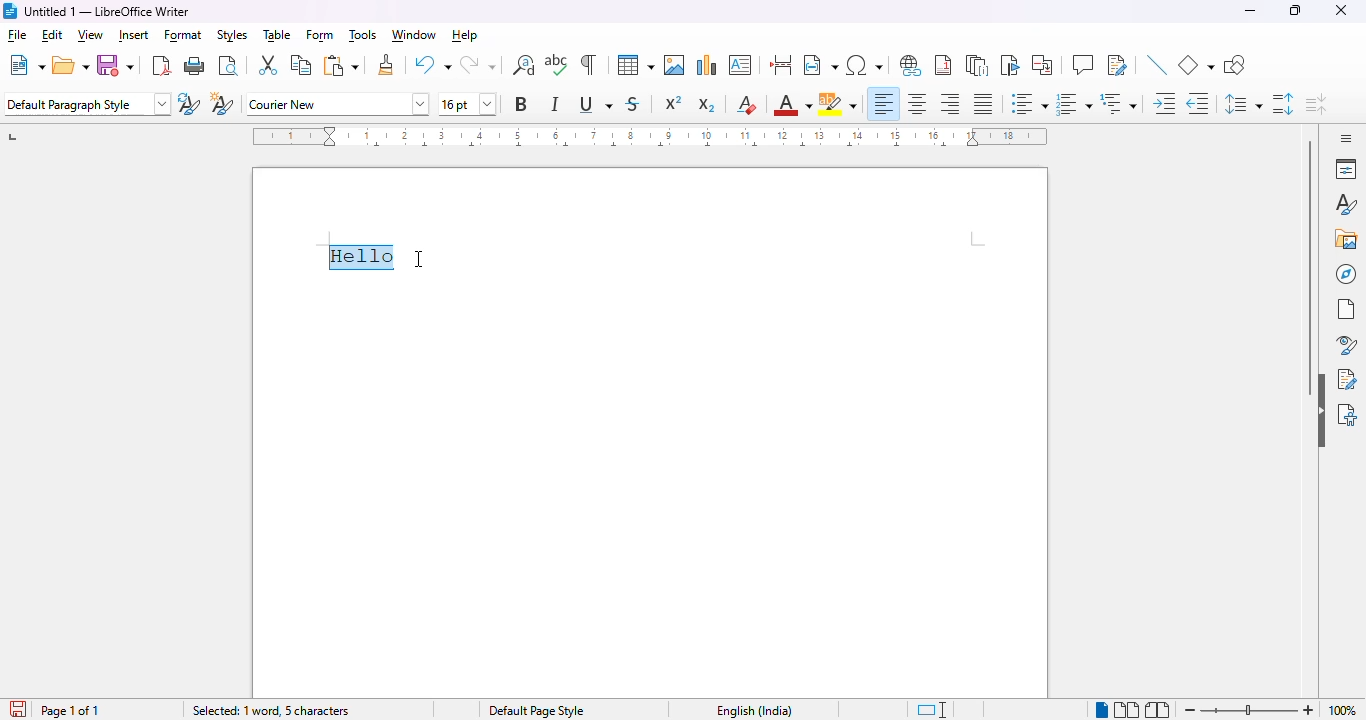 This screenshot has height=720, width=1366. I want to click on paste, so click(342, 65).